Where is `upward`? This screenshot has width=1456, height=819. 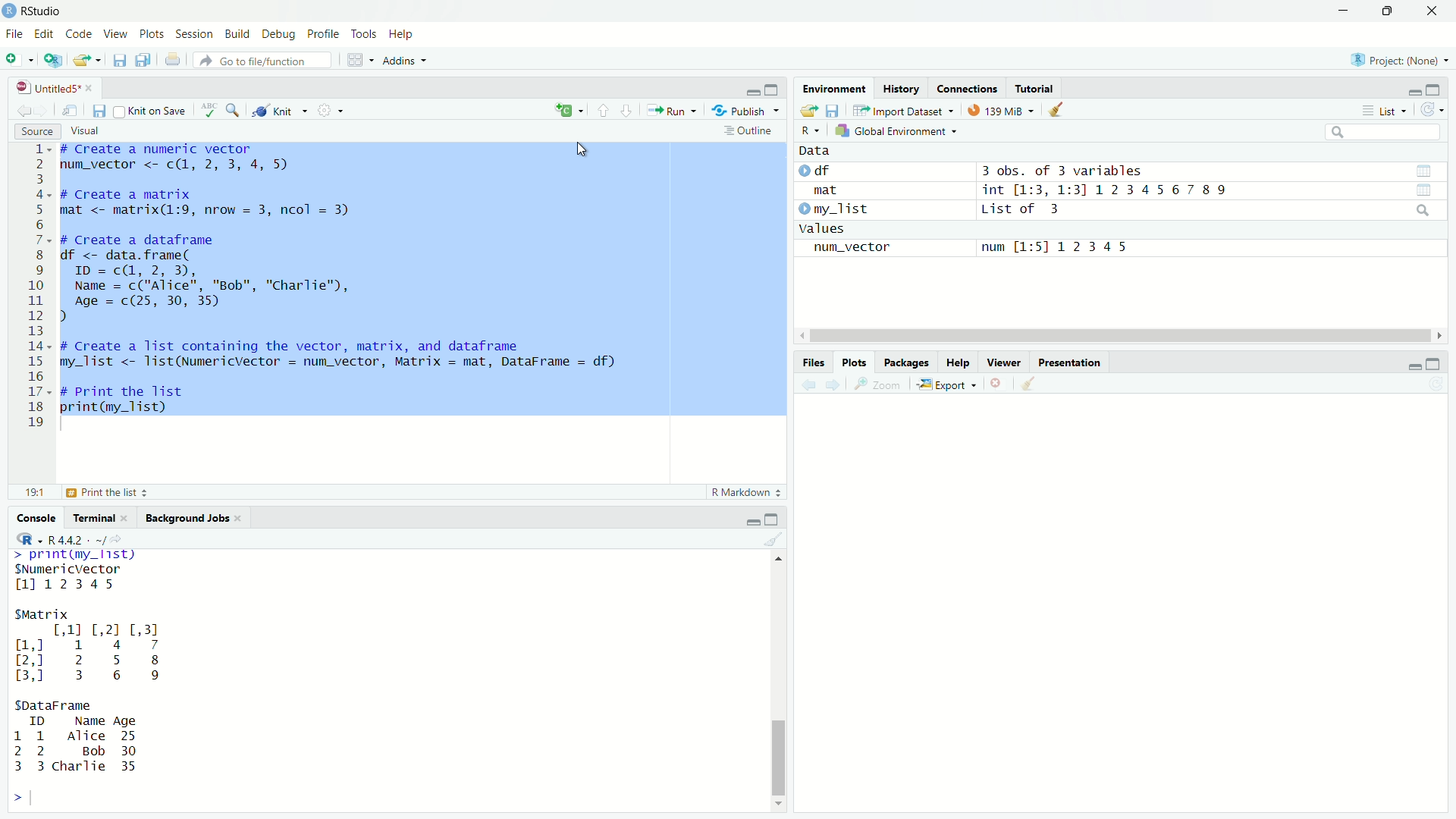 upward is located at coordinates (607, 110).